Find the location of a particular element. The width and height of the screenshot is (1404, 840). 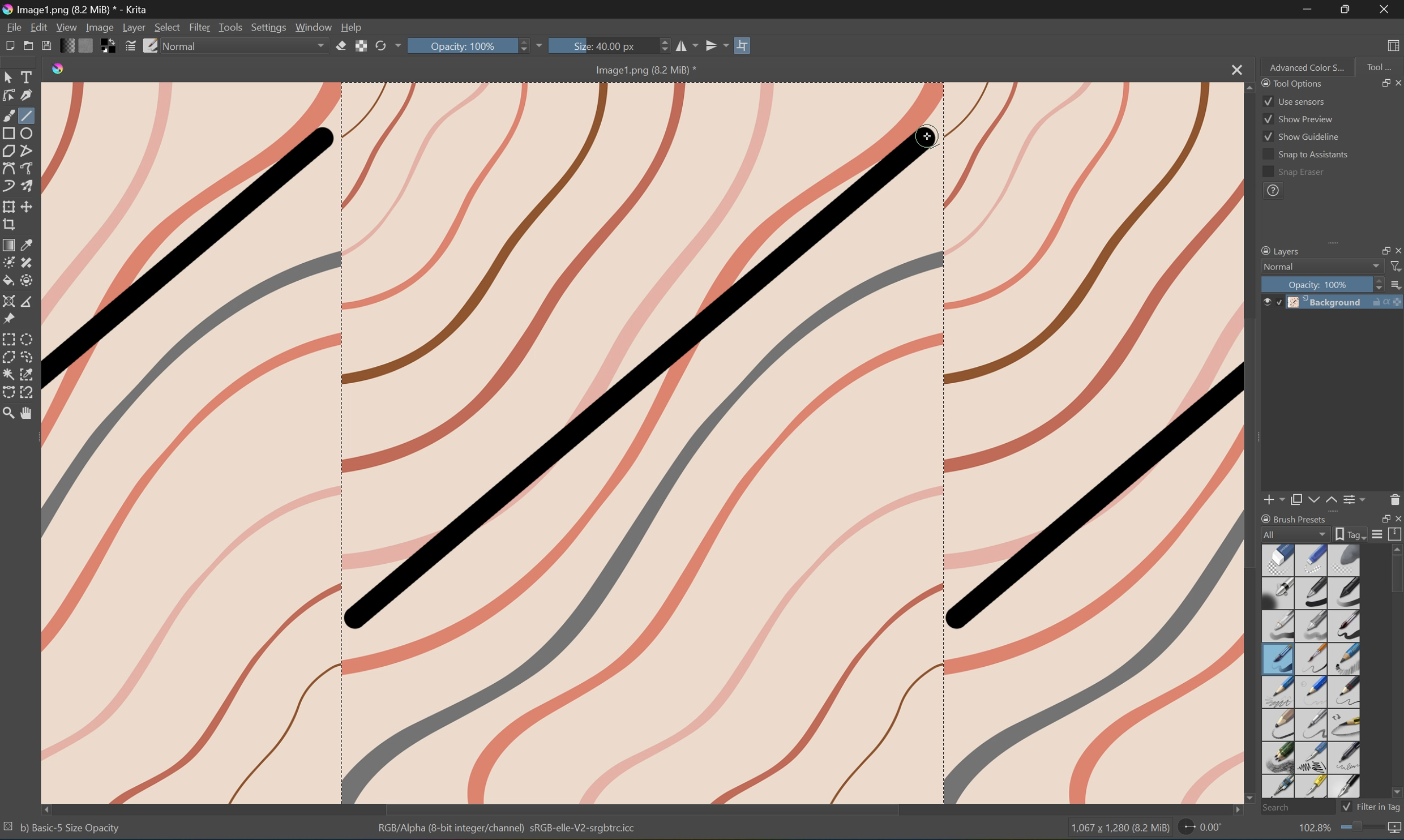

Normal is located at coordinates (185, 45).